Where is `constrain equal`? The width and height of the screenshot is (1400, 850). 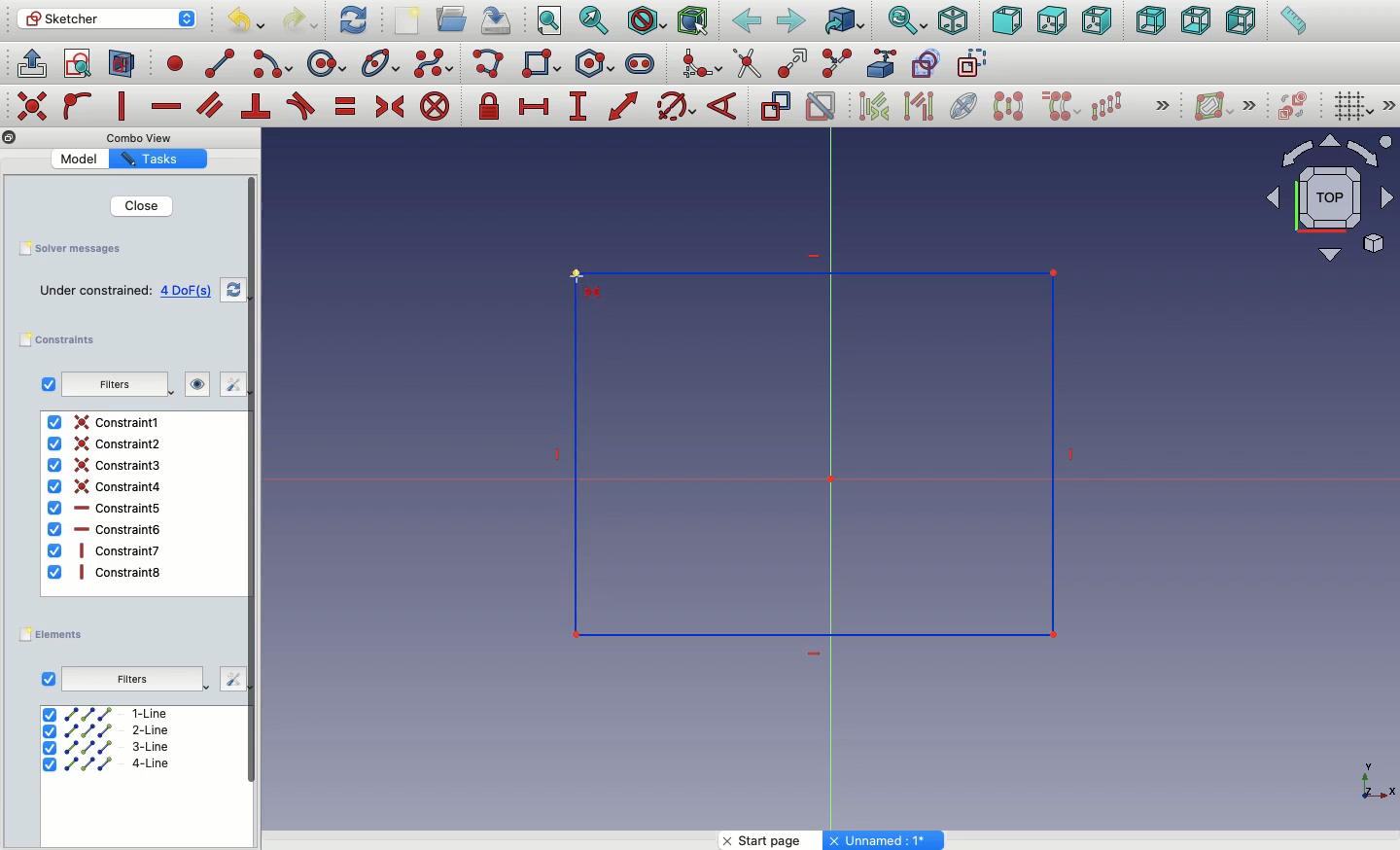
constrain equal is located at coordinates (346, 106).